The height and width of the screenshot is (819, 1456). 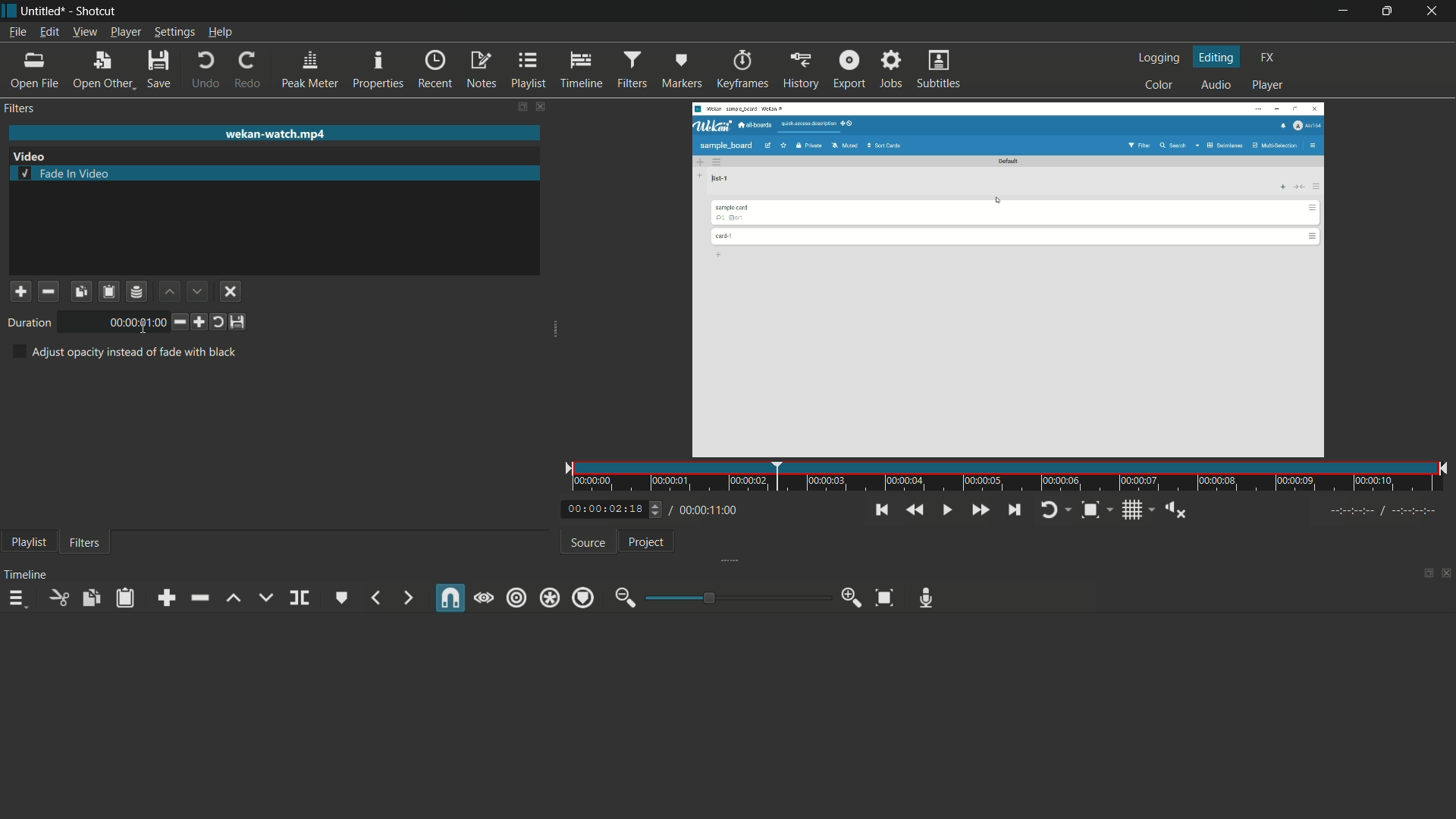 I want to click on timeline, so click(x=26, y=575).